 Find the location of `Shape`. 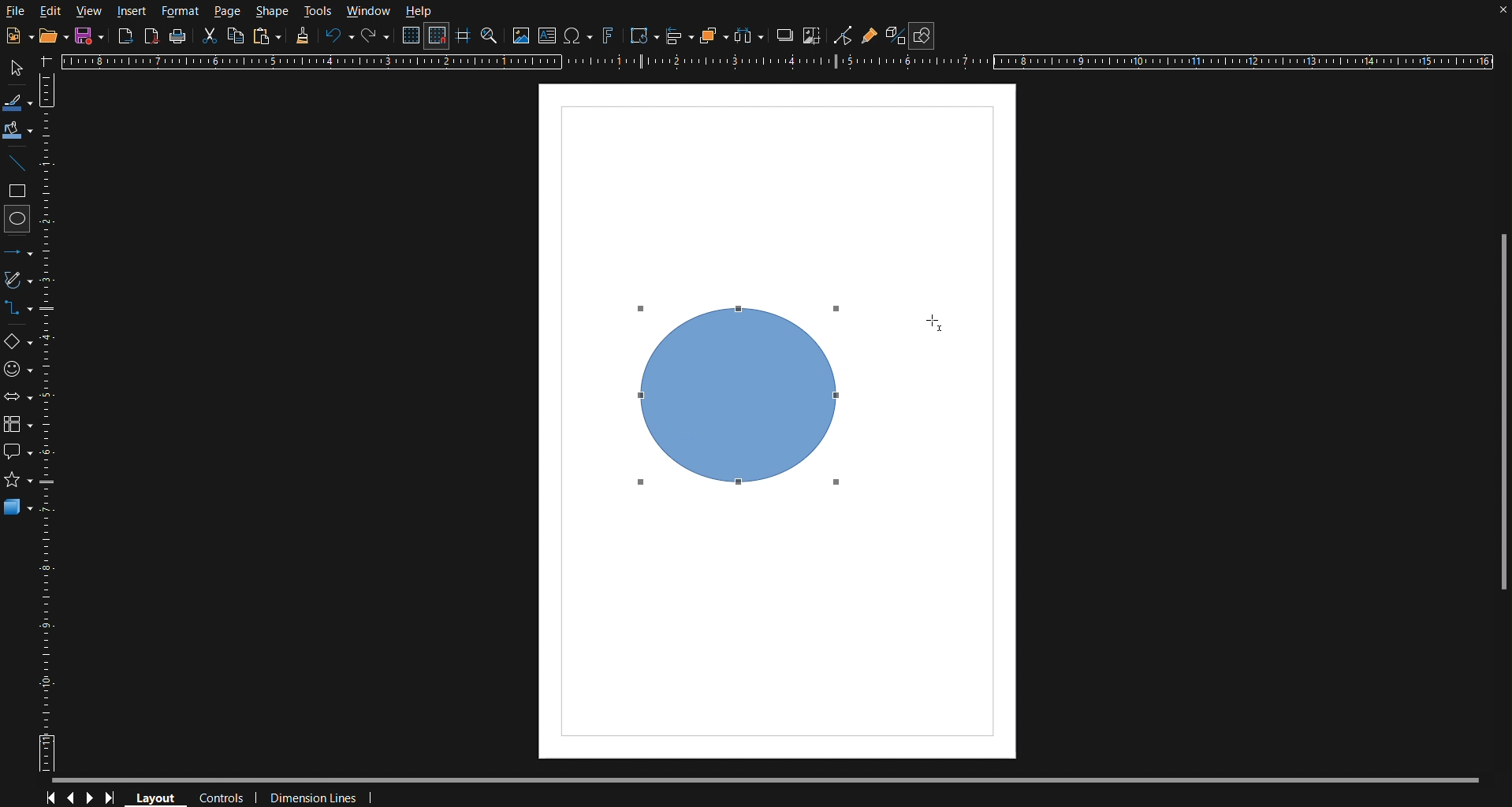

Shape is located at coordinates (272, 12).